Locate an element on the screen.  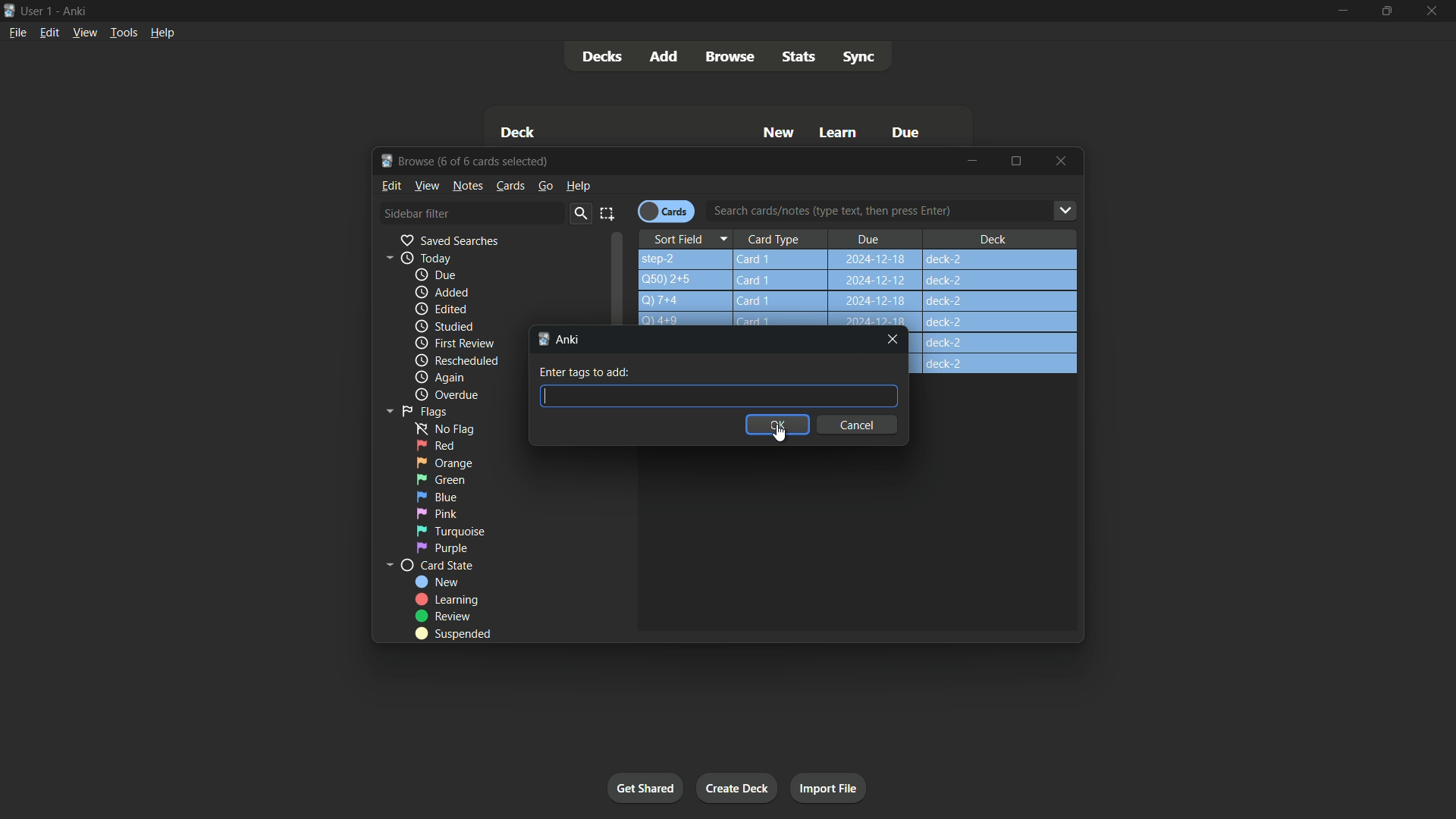
Maximize is located at coordinates (1016, 161).